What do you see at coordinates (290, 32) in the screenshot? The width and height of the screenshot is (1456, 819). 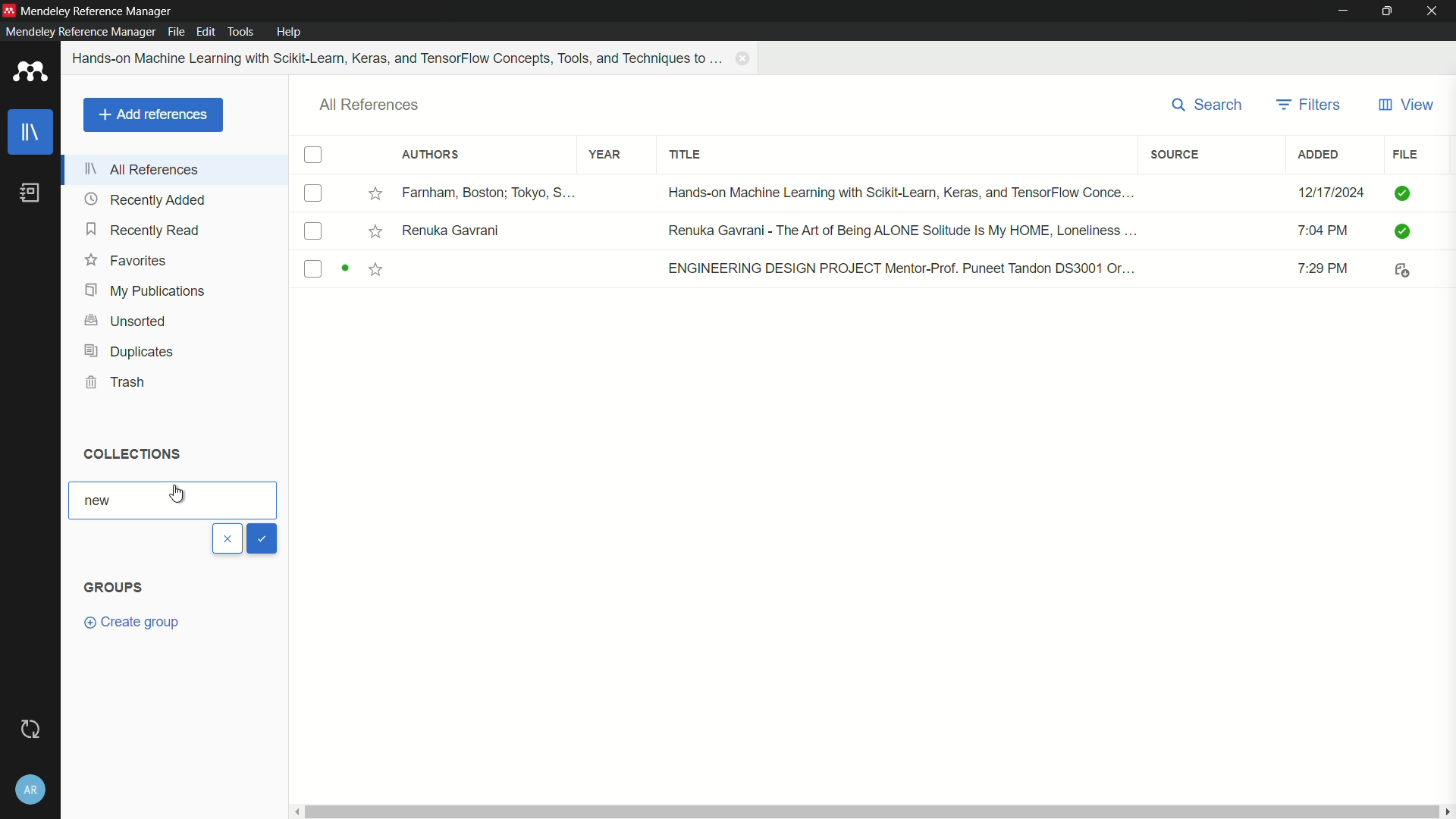 I see `help menu` at bounding box center [290, 32].